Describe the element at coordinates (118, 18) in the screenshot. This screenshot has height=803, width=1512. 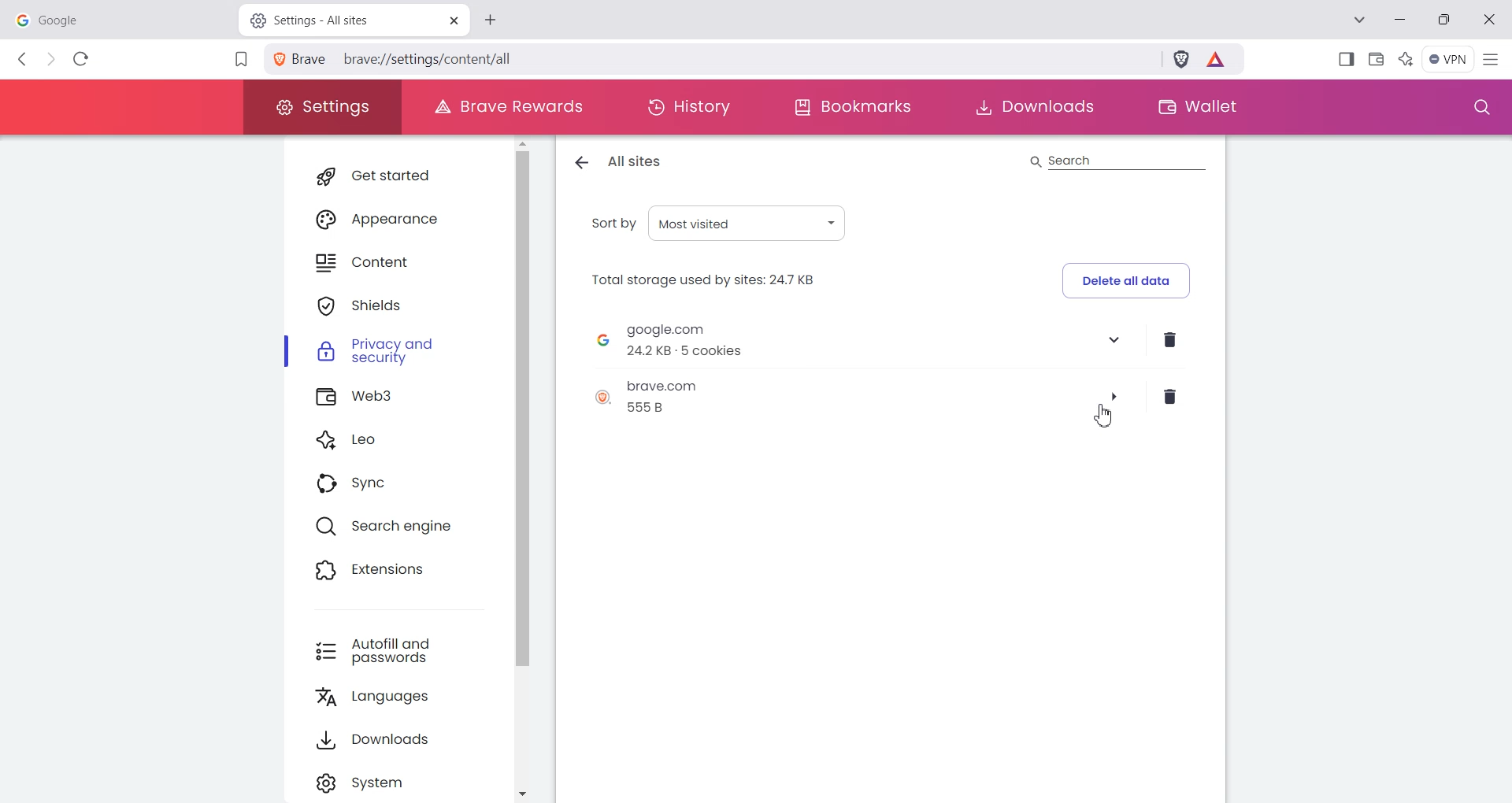
I see `google` at that location.